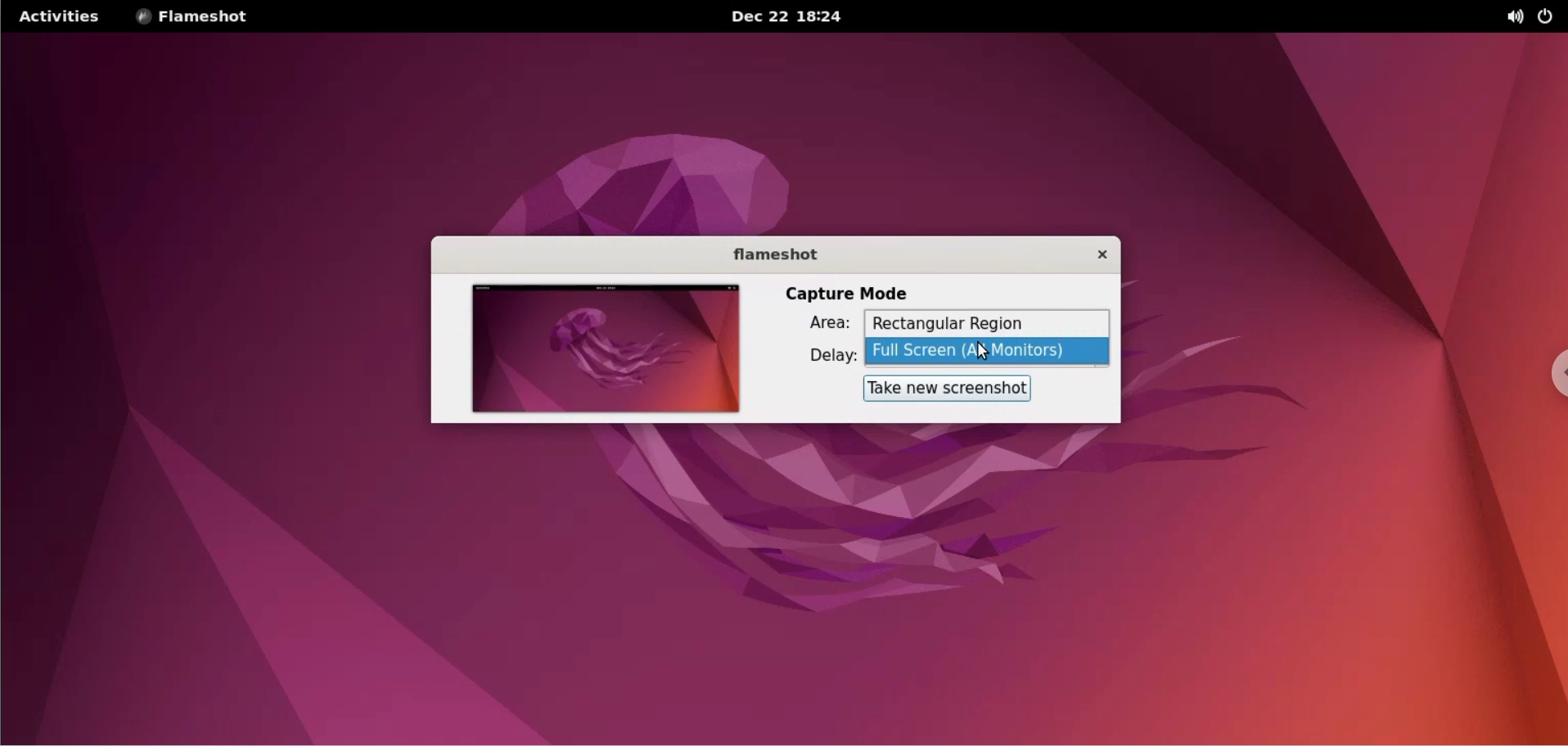 Image resolution: width=1568 pixels, height=746 pixels. I want to click on rectangular region, so click(986, 324).